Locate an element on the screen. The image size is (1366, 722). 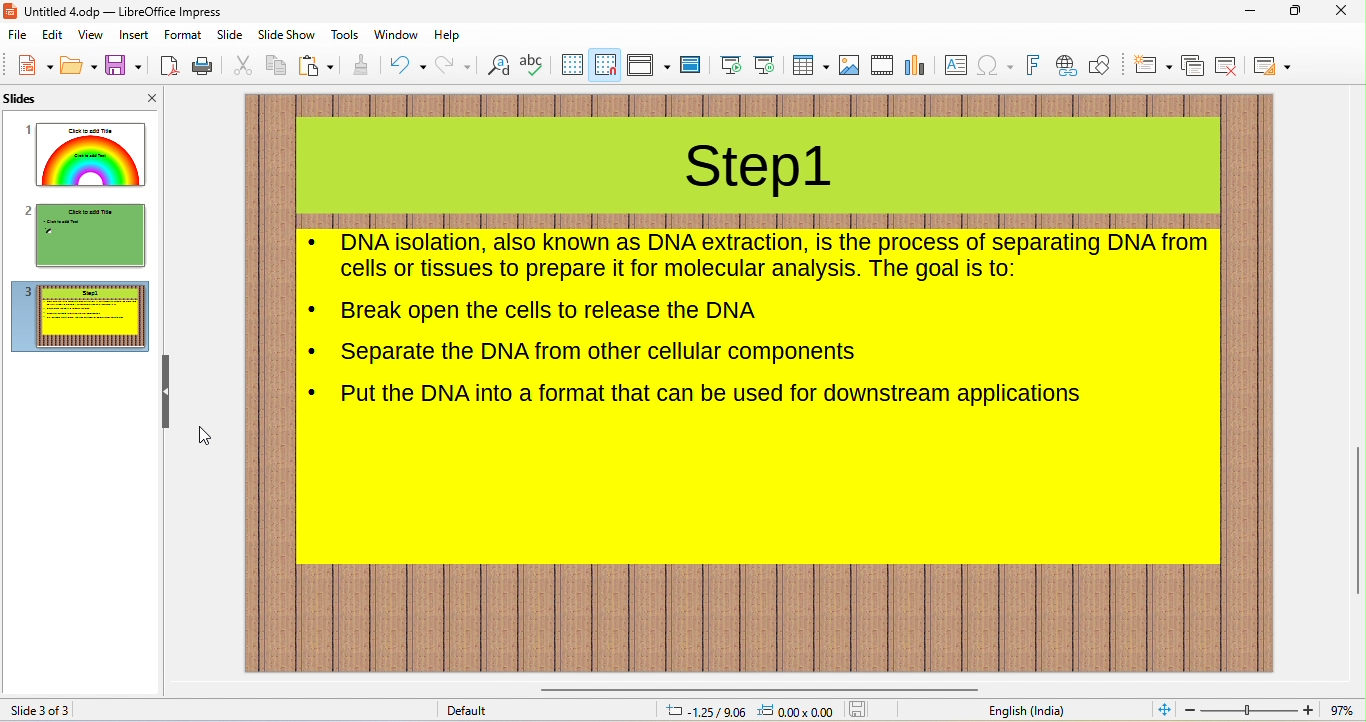
open is located at coordinates (78, 66).